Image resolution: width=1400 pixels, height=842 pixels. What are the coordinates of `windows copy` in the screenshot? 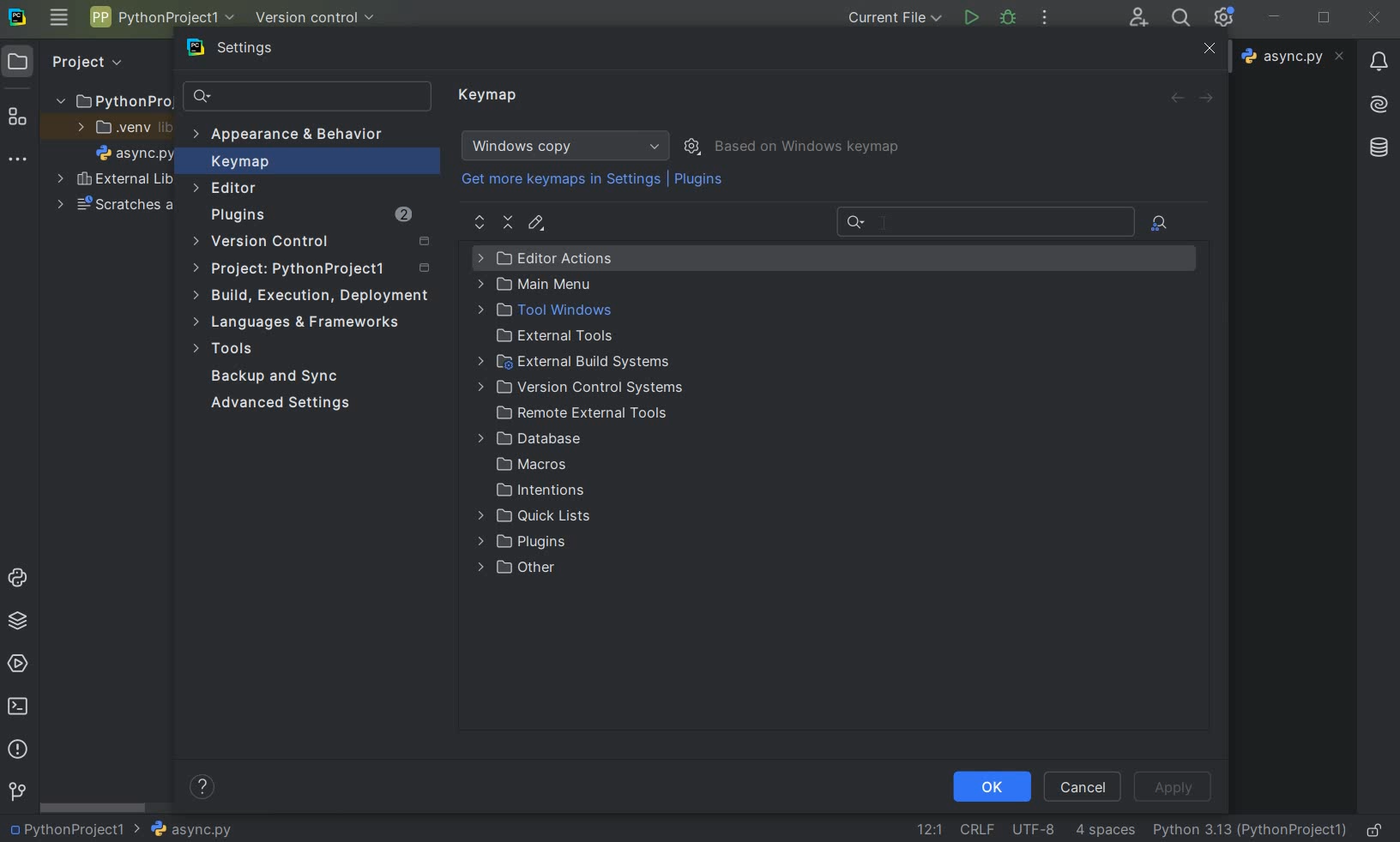 It's located at (568, 146).